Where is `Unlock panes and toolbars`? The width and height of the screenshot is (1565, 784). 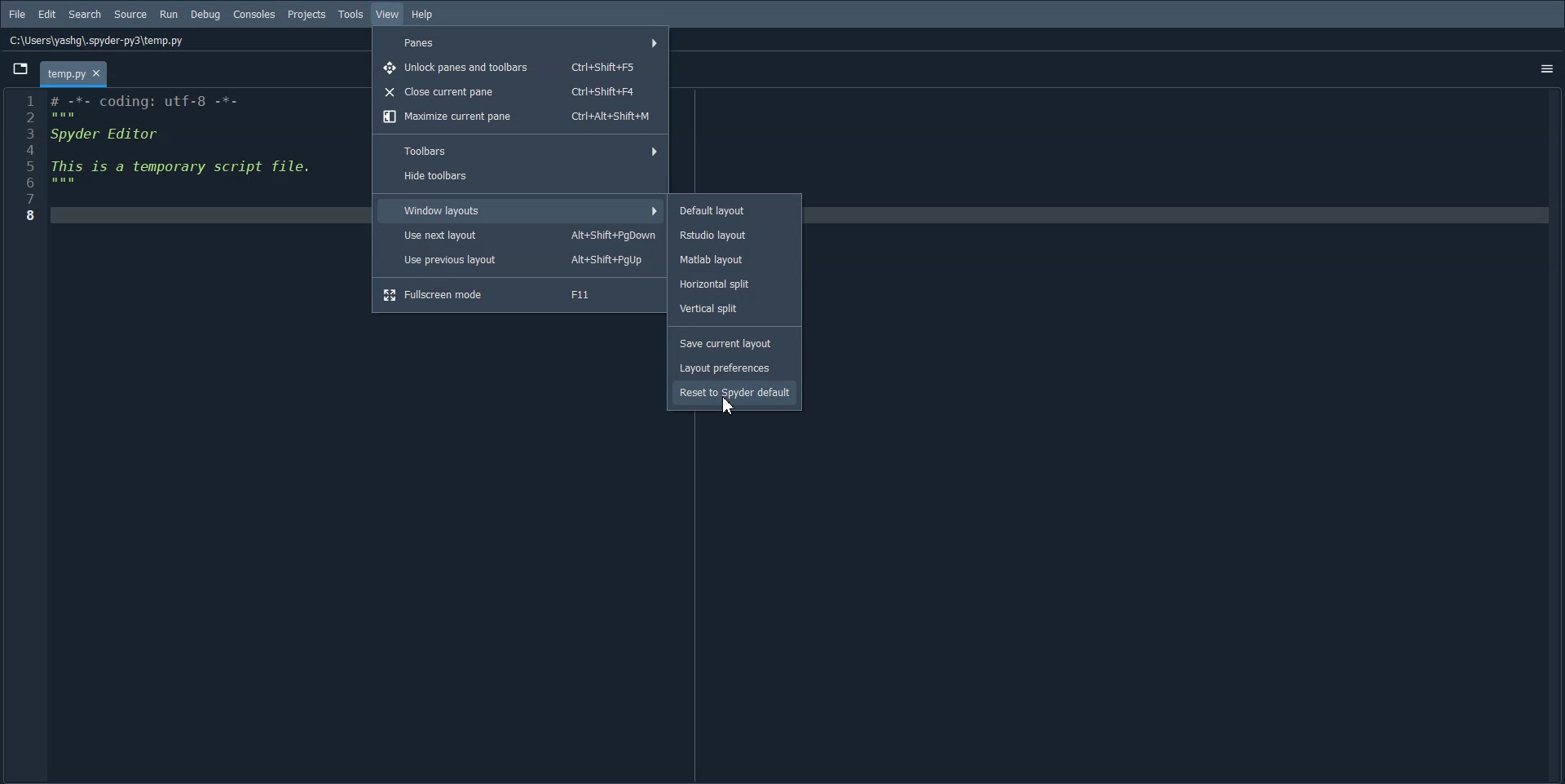
Unlock panes and toolbars is located at coordinates (523, 66).